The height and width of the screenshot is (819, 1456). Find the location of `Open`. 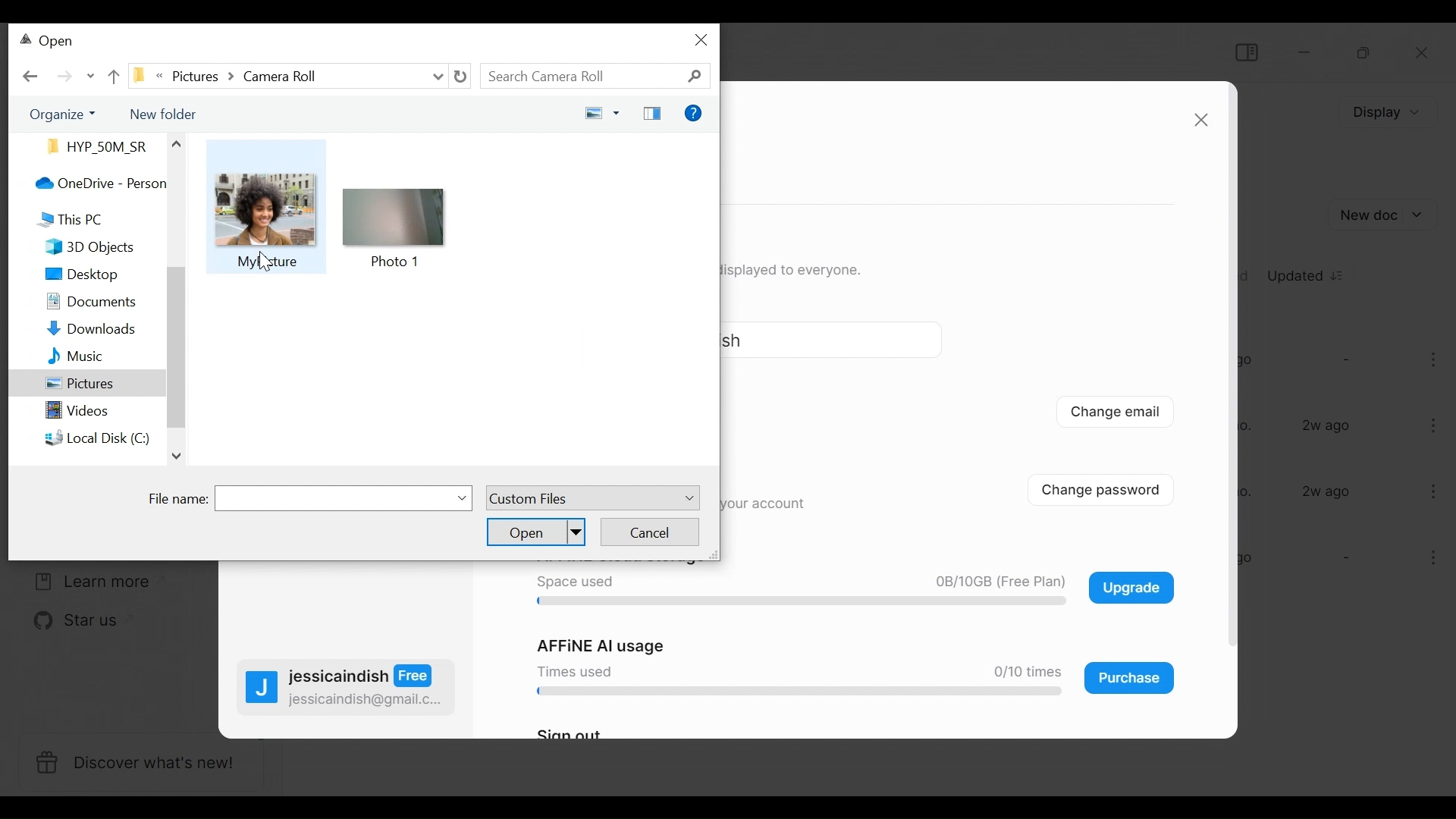

Open is located at coordinates (536, 531).